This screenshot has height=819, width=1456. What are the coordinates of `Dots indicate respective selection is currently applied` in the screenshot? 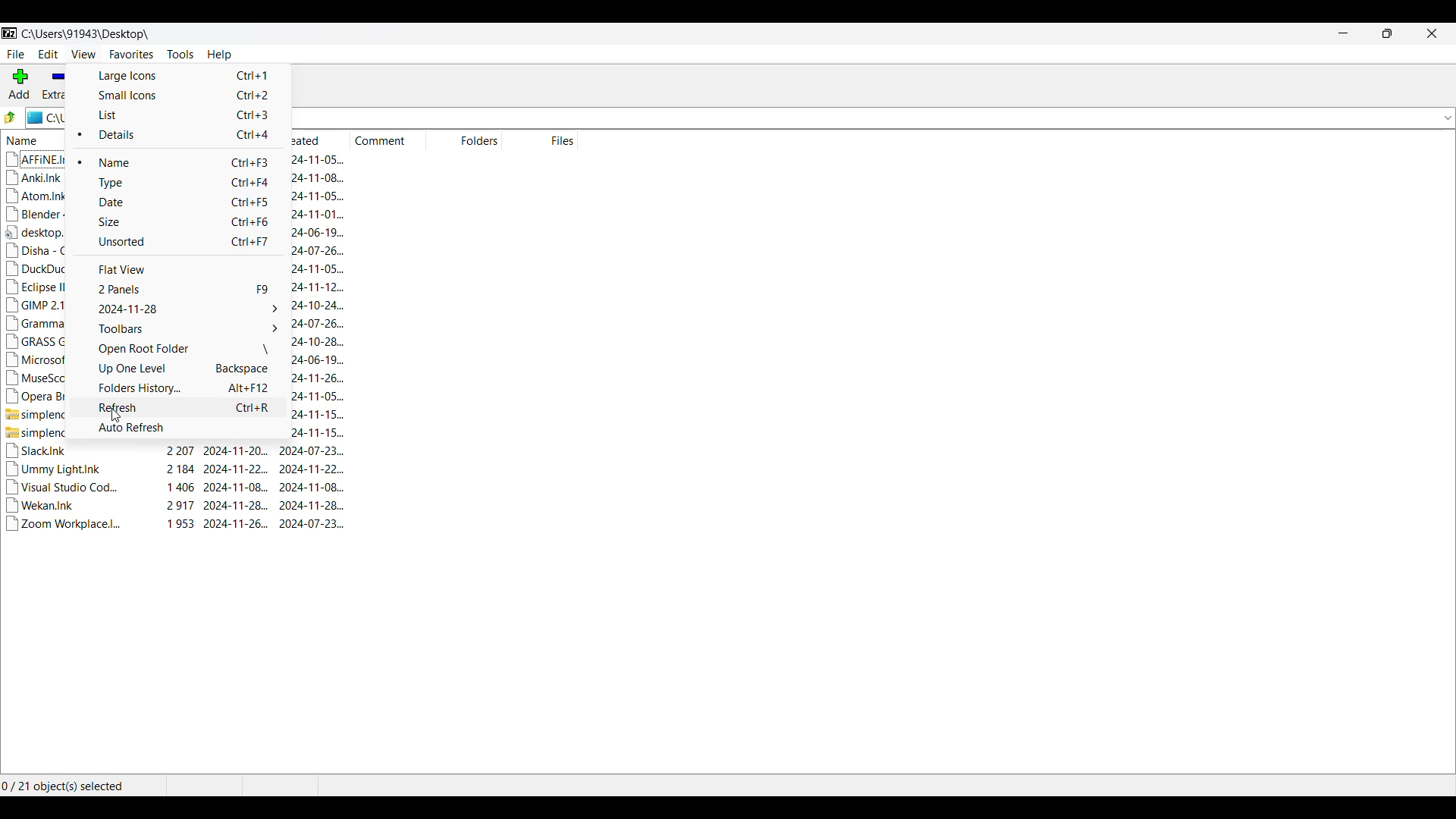 It's located at (79, 149).